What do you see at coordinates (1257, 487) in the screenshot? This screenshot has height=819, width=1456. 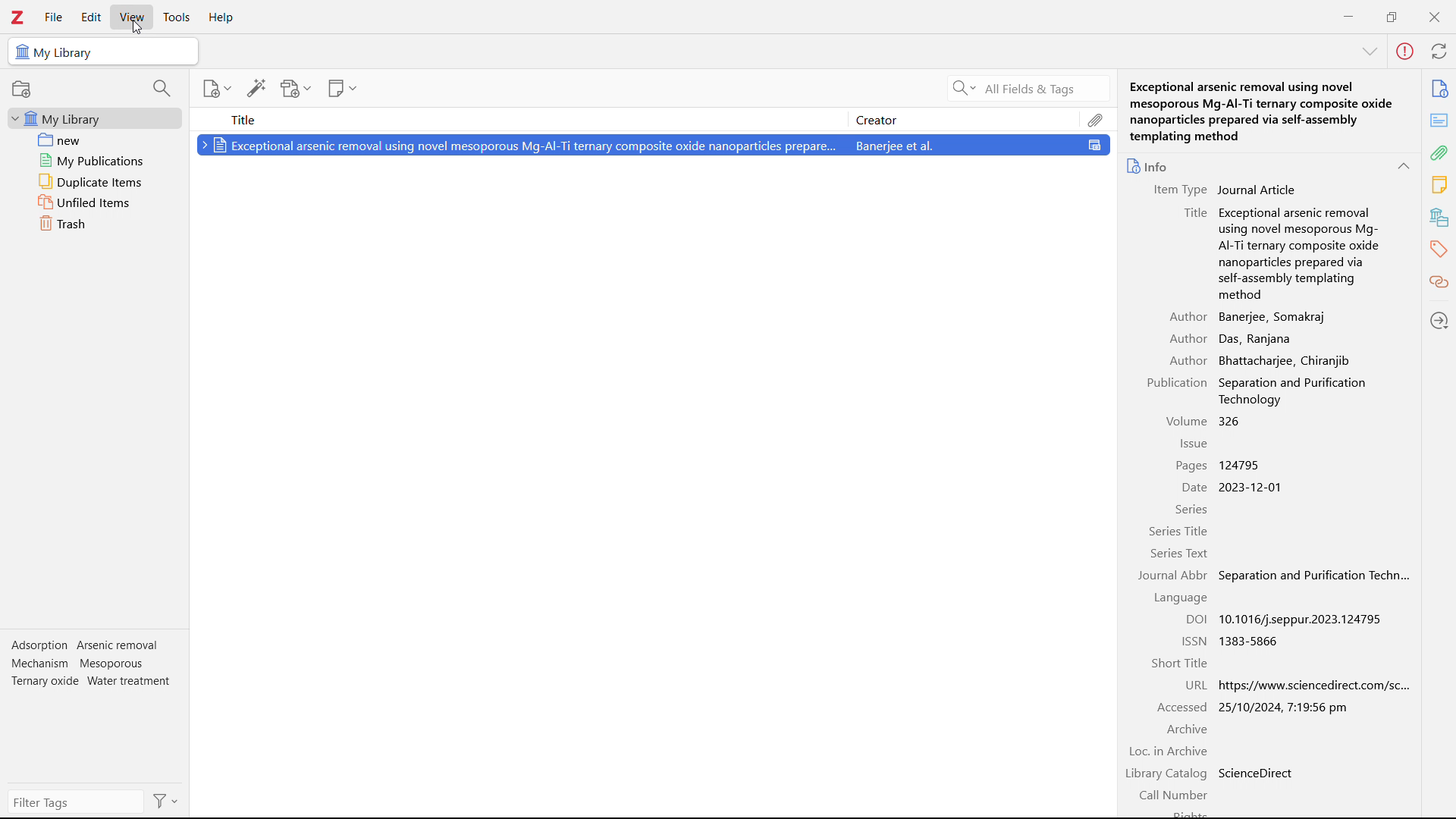 I see `2023-12-01` at bounding box center [1257, 487].